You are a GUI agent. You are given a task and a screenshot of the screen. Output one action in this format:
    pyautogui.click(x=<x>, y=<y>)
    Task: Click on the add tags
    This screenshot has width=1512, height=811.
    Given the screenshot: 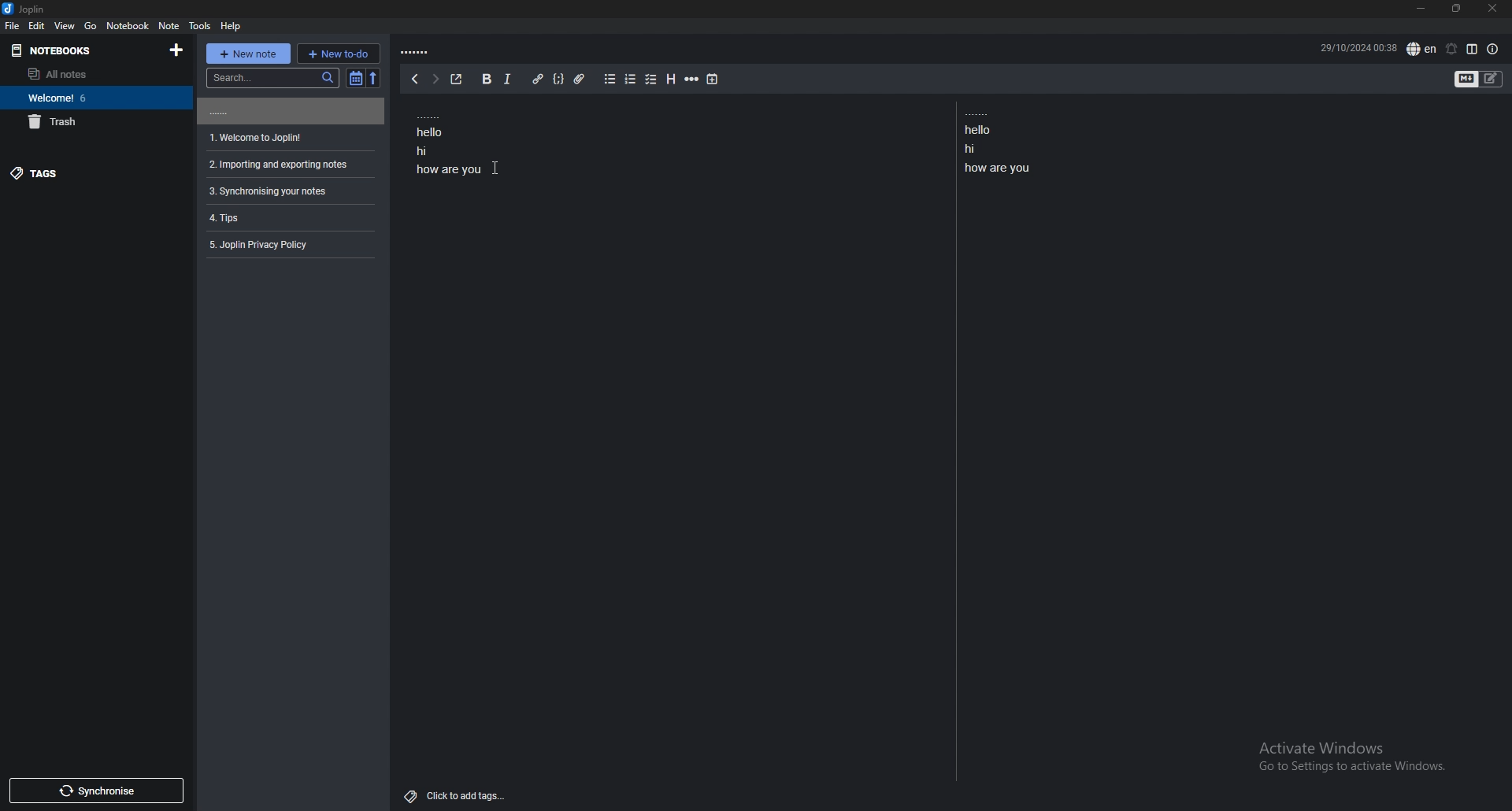 What is the action you would take?
    pyautogui.click(x=460, y=796)
    